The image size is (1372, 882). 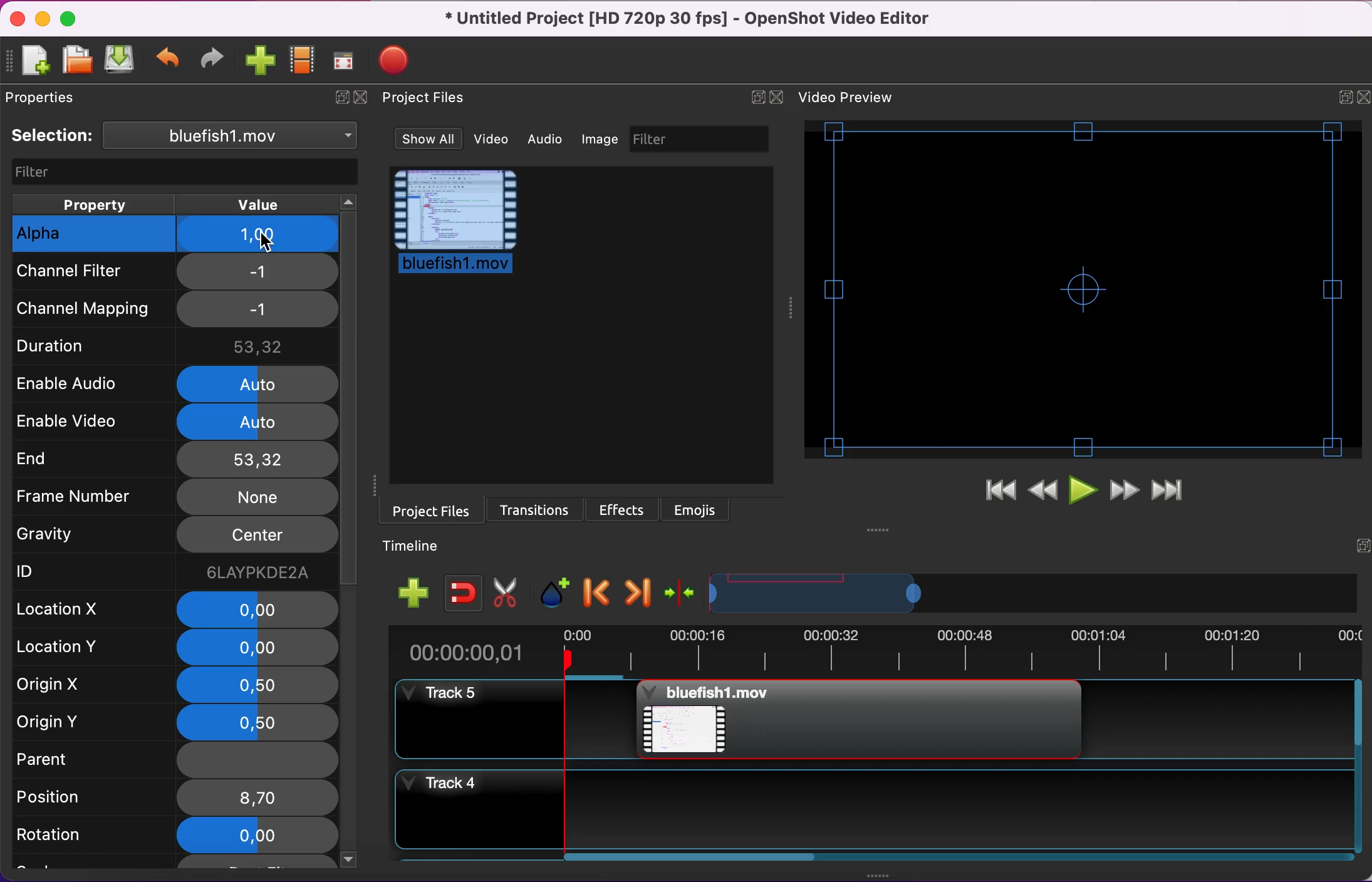 What do you see at coordinates (1337, 100) in the screenshot?
I see `expand/hide` at bounding box center [1337, 100].